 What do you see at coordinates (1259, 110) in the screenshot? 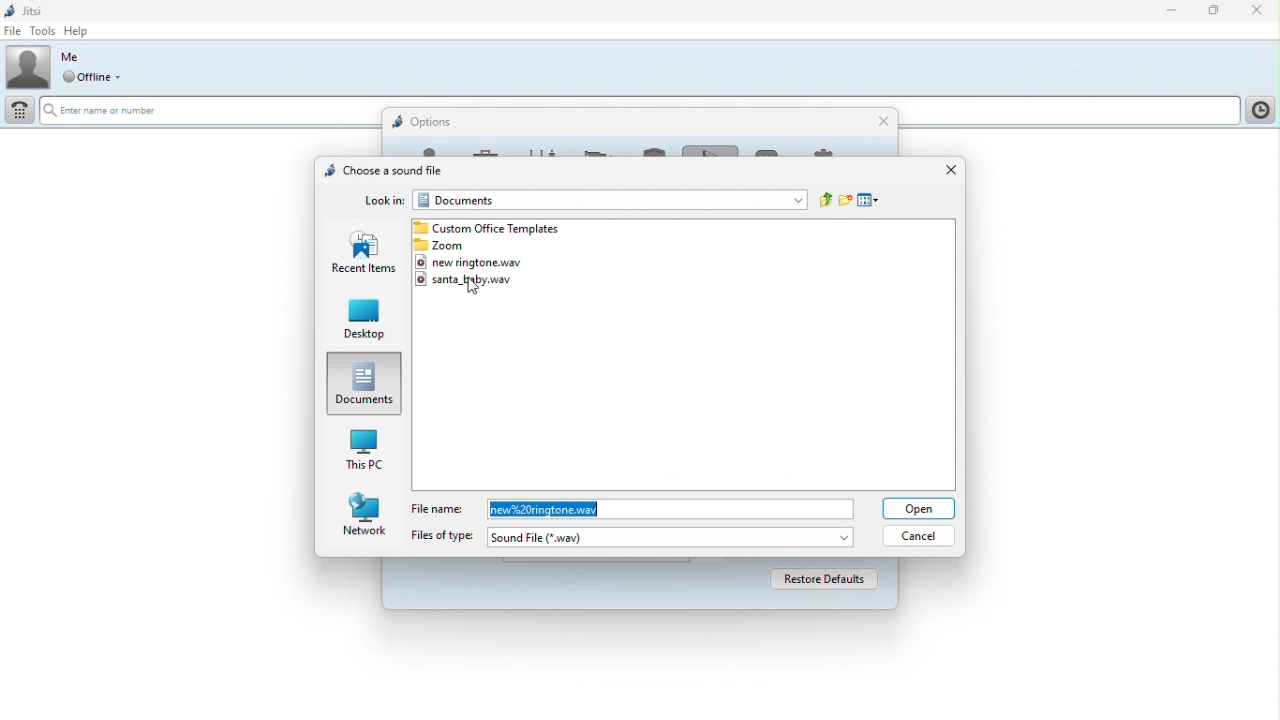
I see `History` at bounding box center [1259, 110].